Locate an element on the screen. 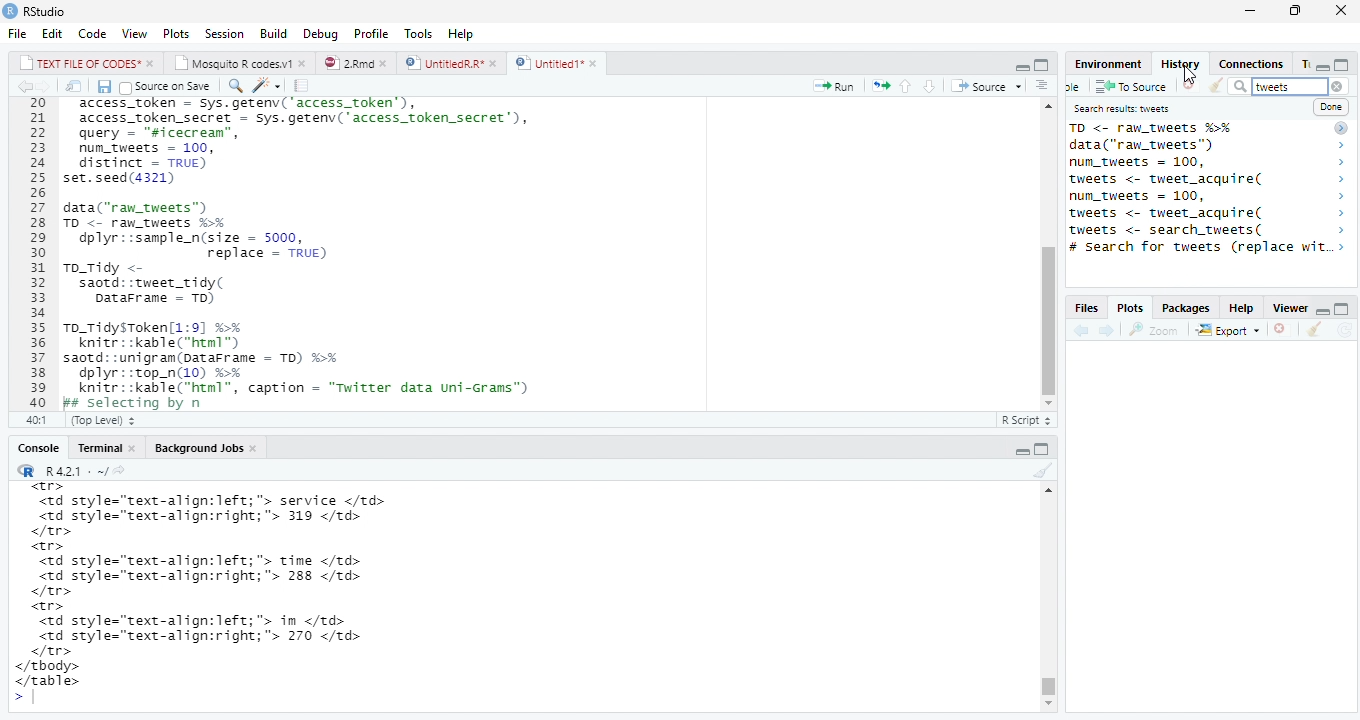 The width and height of the screenshot is (1360, 720). tweet is located at coordinates (1291, 86).